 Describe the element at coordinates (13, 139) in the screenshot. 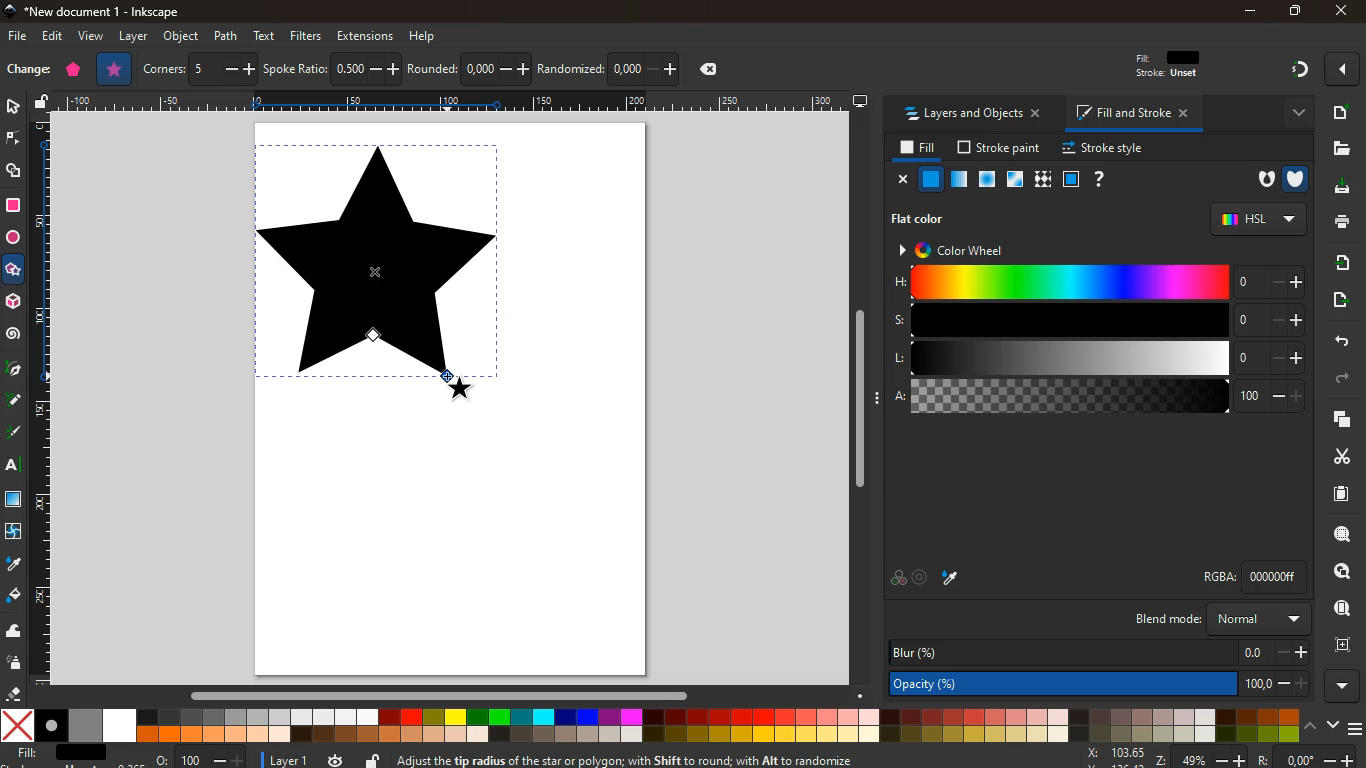

I see `edge` at that location.